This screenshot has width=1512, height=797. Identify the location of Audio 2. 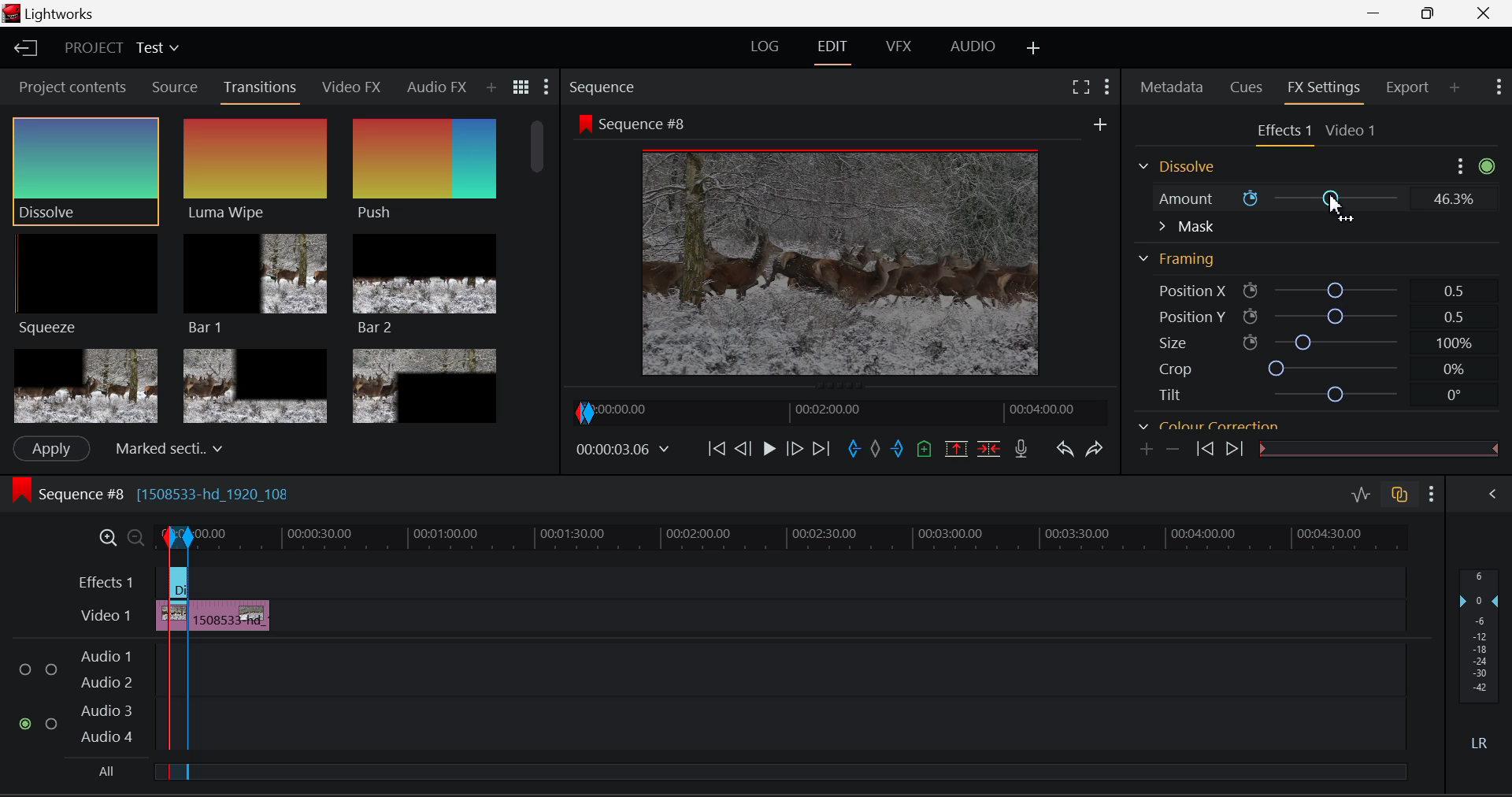
(106, 679).